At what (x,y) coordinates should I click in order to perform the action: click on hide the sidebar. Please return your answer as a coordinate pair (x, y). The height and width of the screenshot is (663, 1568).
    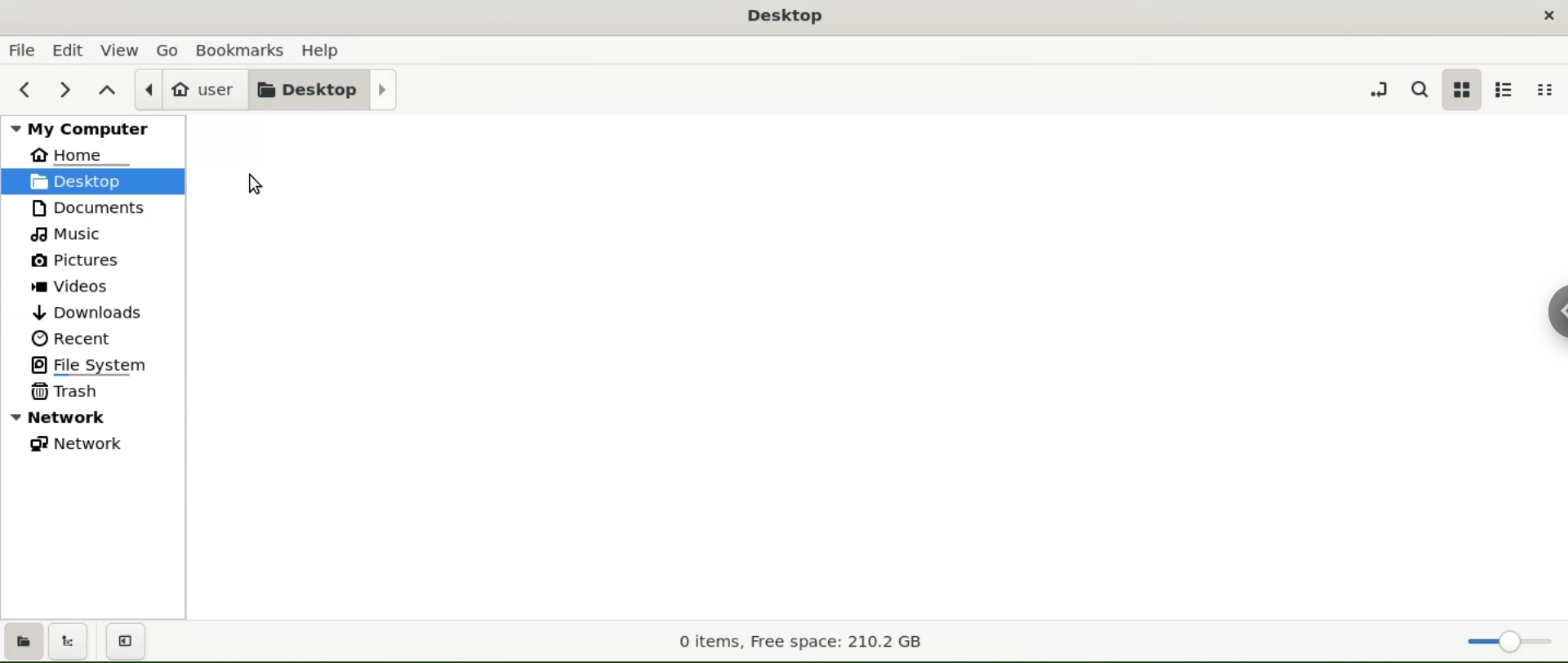
    Looking at the image, I should click on (129, 642).